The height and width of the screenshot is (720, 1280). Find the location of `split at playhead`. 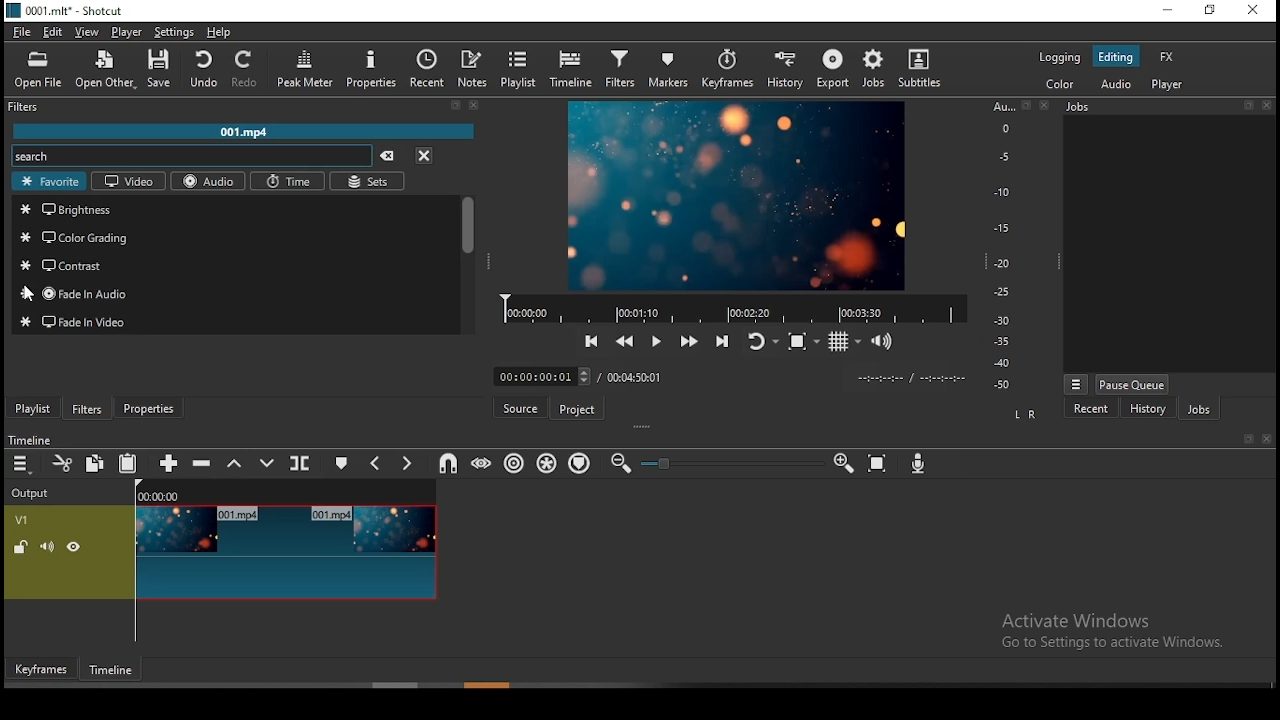

split at playhead is located at coordinates (300, 464).